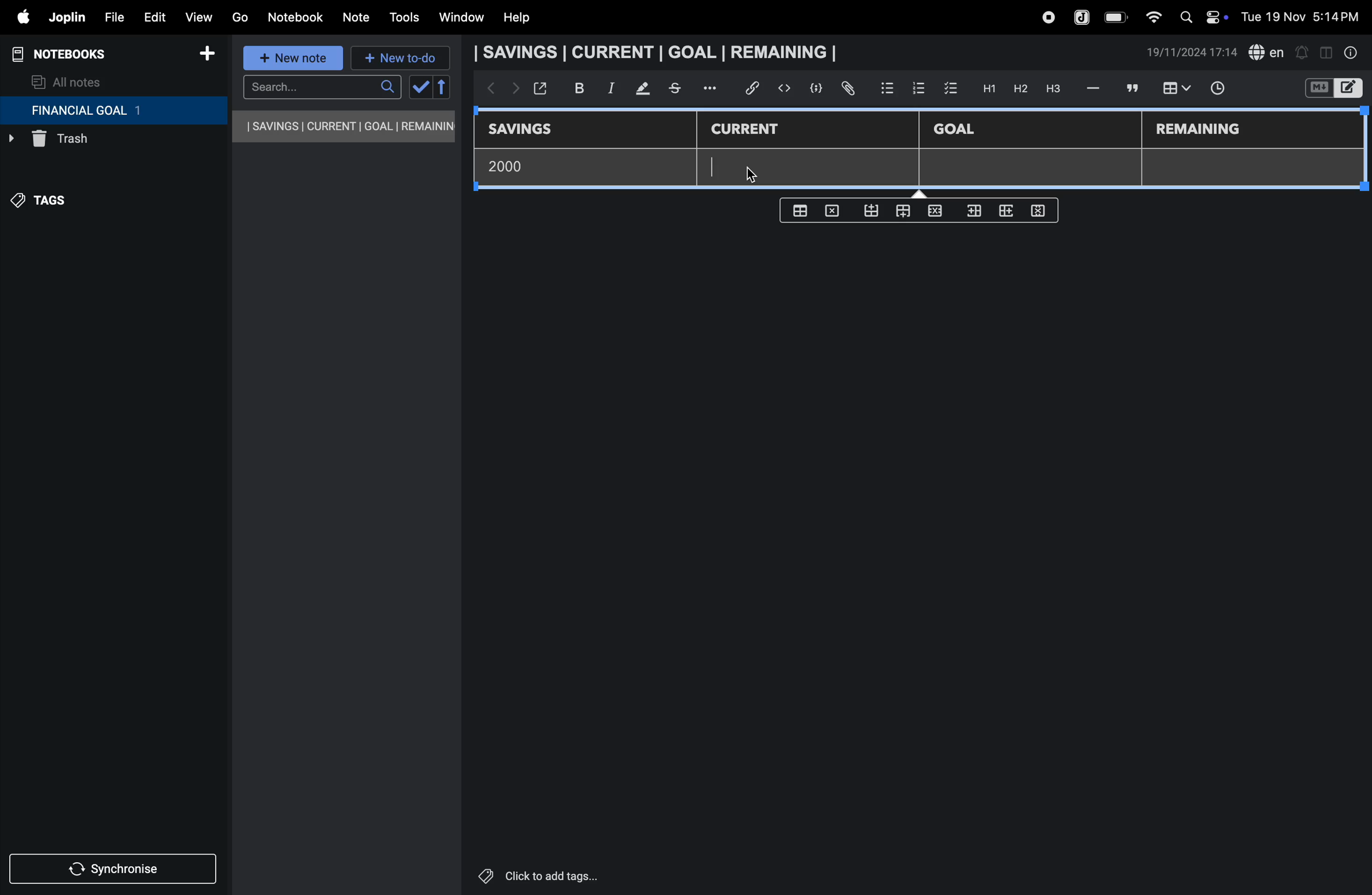  What do you see at coordinates (539, 88) in the screenshot?
I see `open window` at bounding box center [539, 88].